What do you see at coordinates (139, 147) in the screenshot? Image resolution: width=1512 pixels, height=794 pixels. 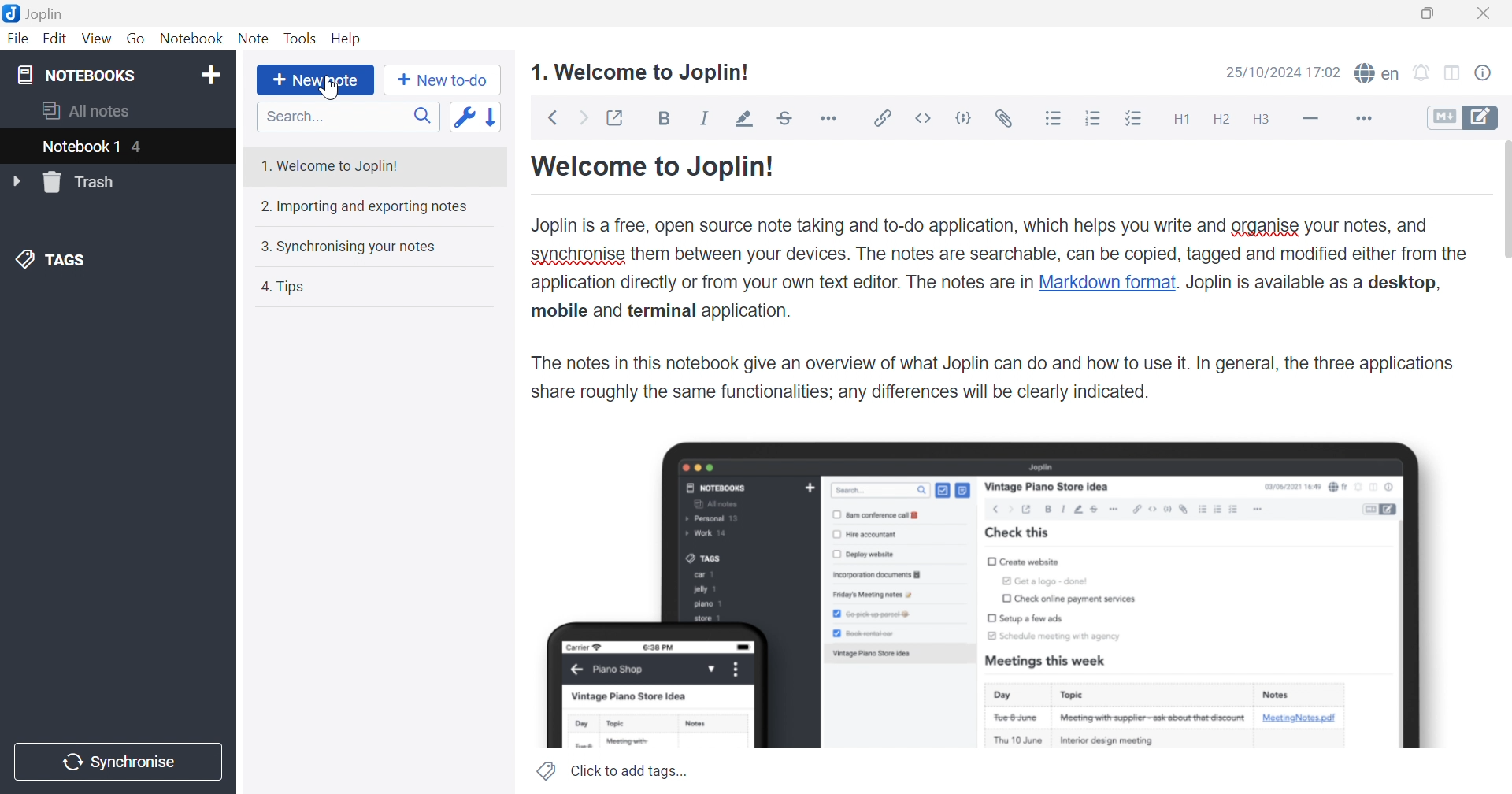 I see `4` at bounding box center [139, 147].